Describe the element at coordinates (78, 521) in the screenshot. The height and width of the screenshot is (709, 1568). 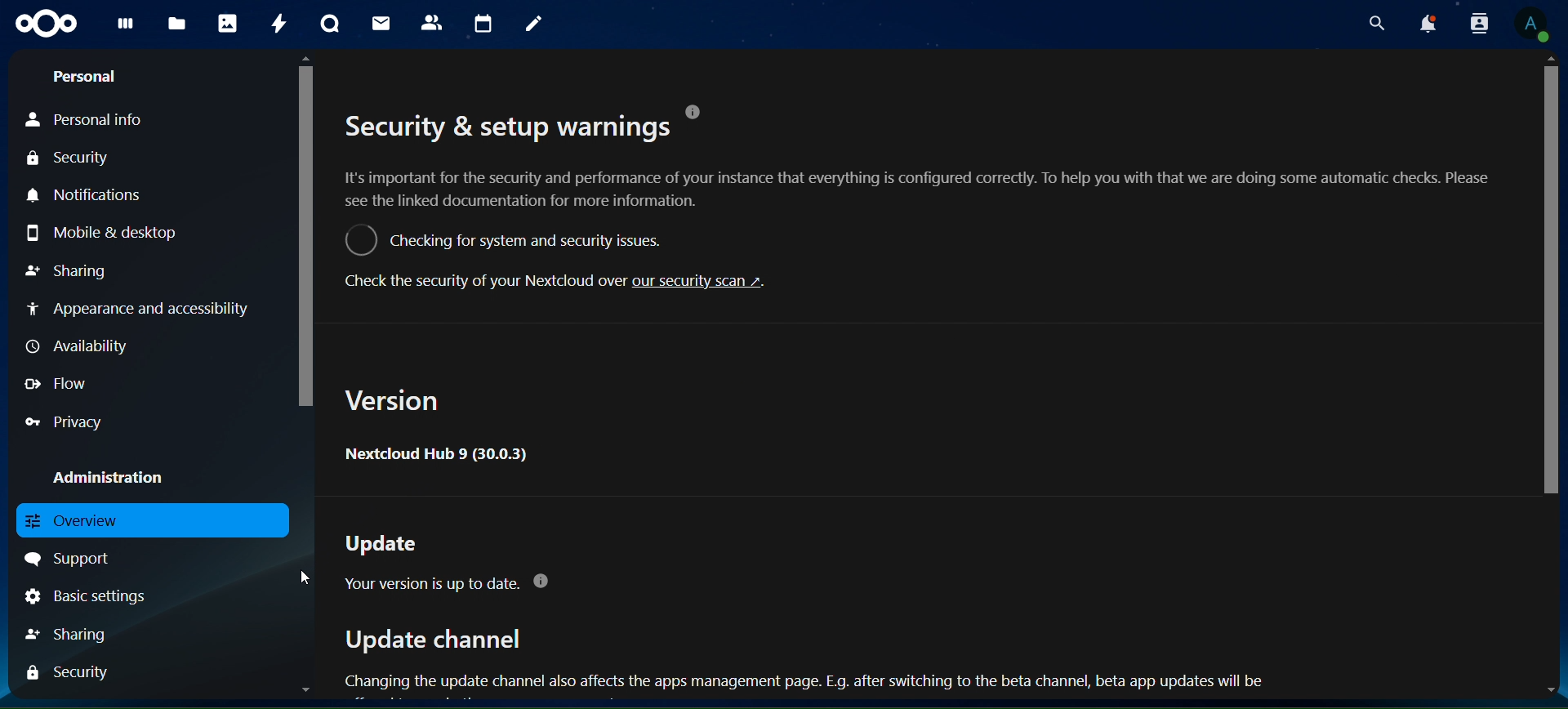
I see `overview` at that location.